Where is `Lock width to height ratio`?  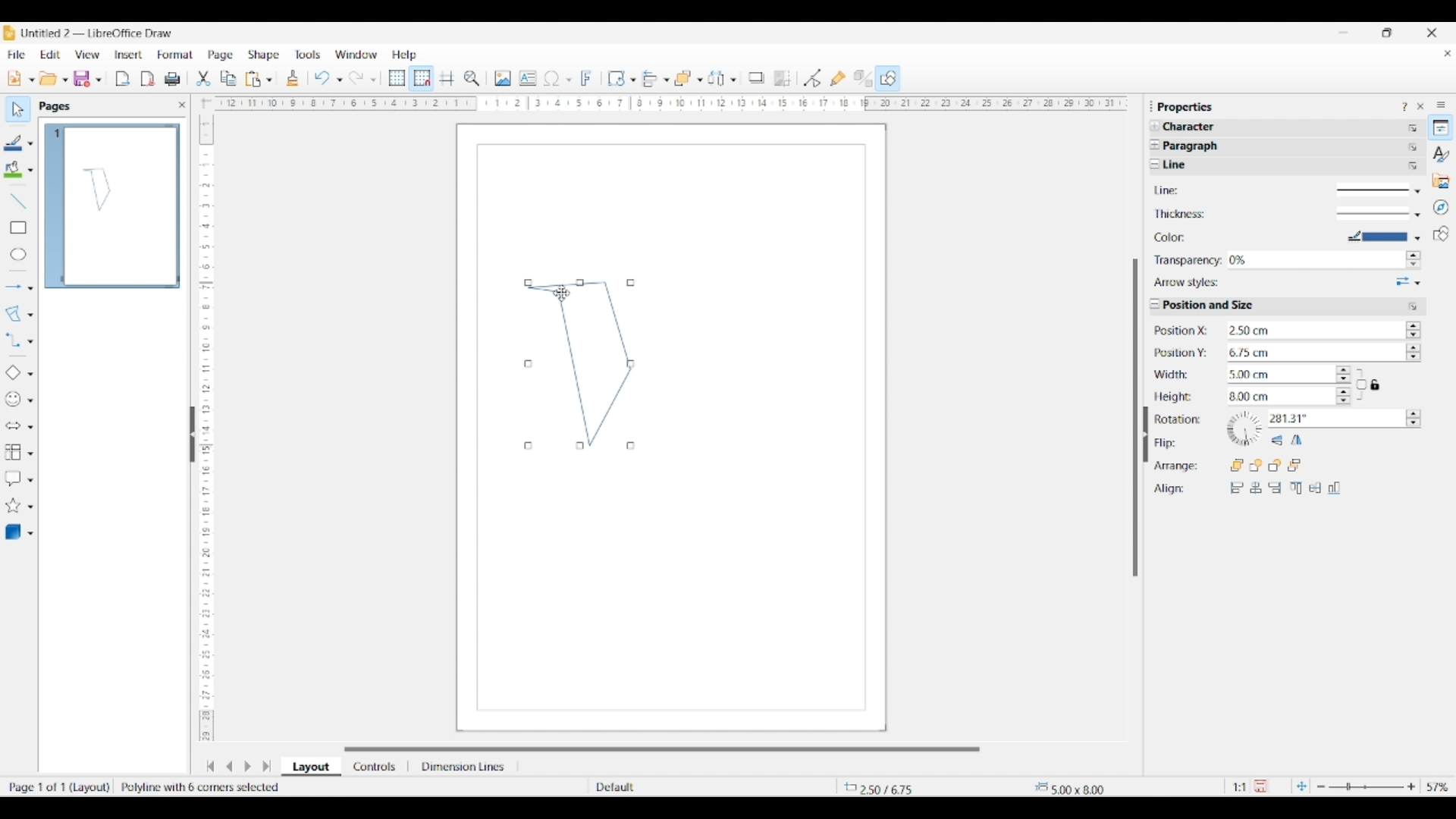 Lock width to height ratio is located at coordinates (1361, 384).